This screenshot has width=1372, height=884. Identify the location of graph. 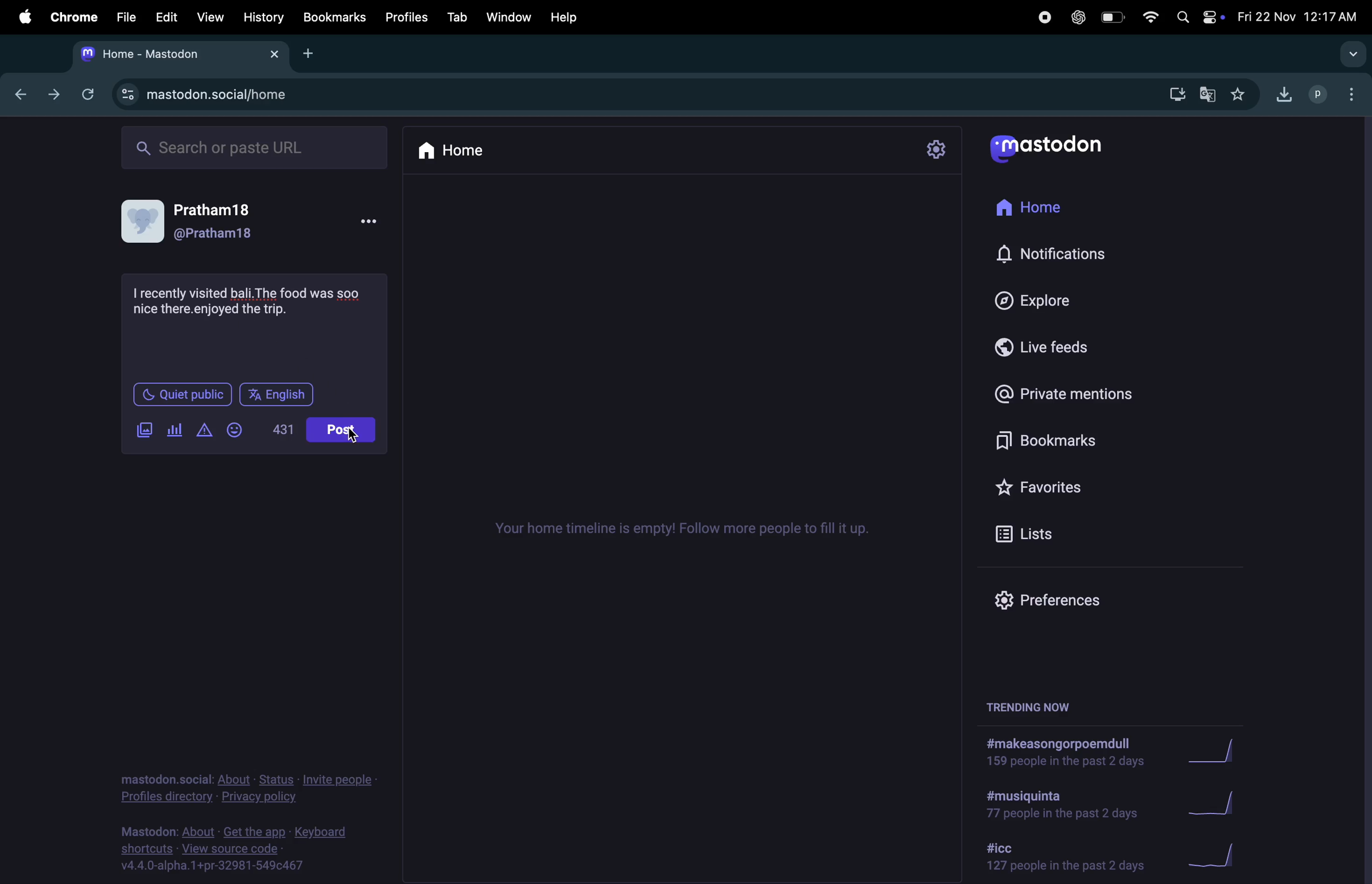
(1205, 751).